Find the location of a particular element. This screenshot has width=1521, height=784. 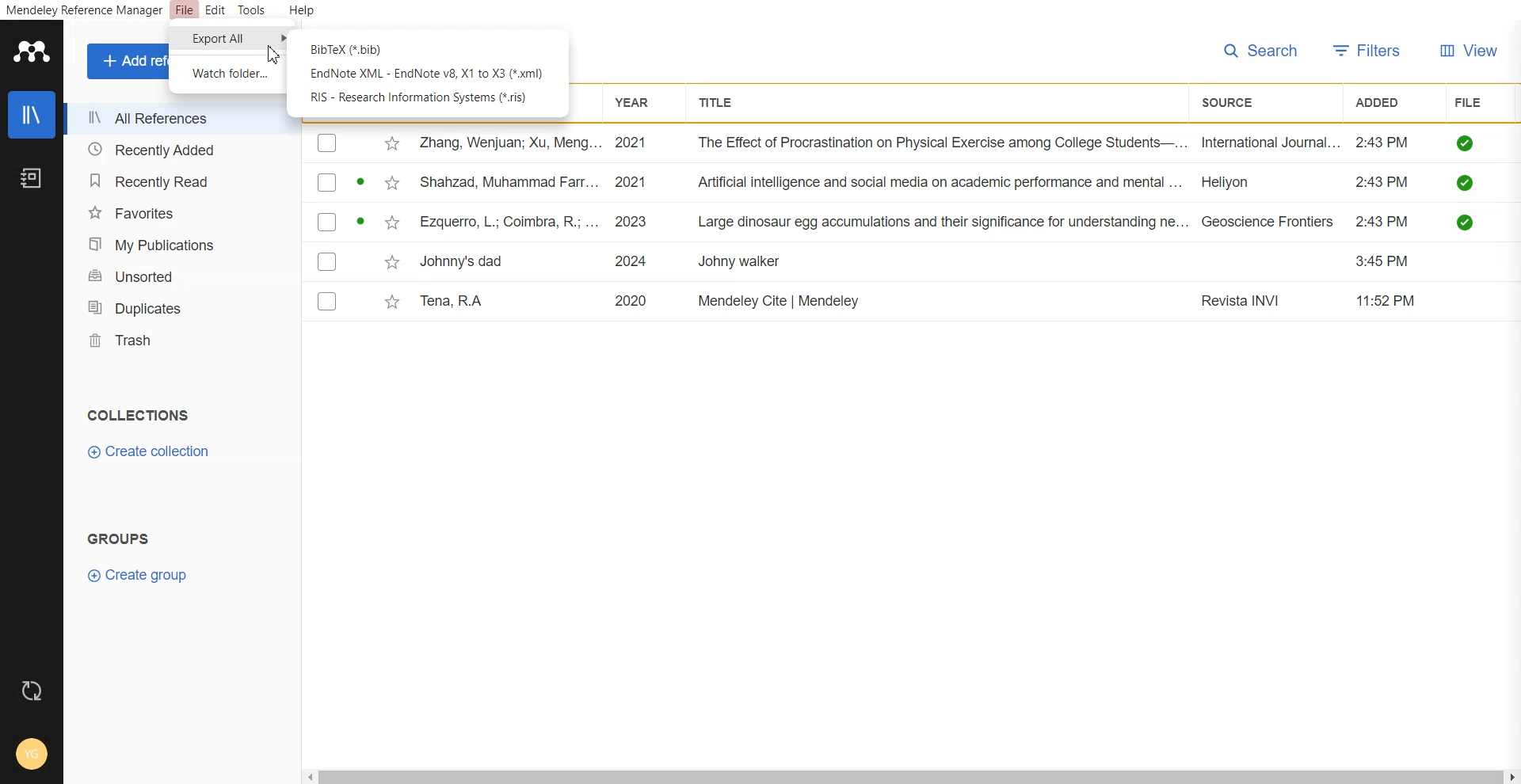

2020 is located at coordinates (631, 299).